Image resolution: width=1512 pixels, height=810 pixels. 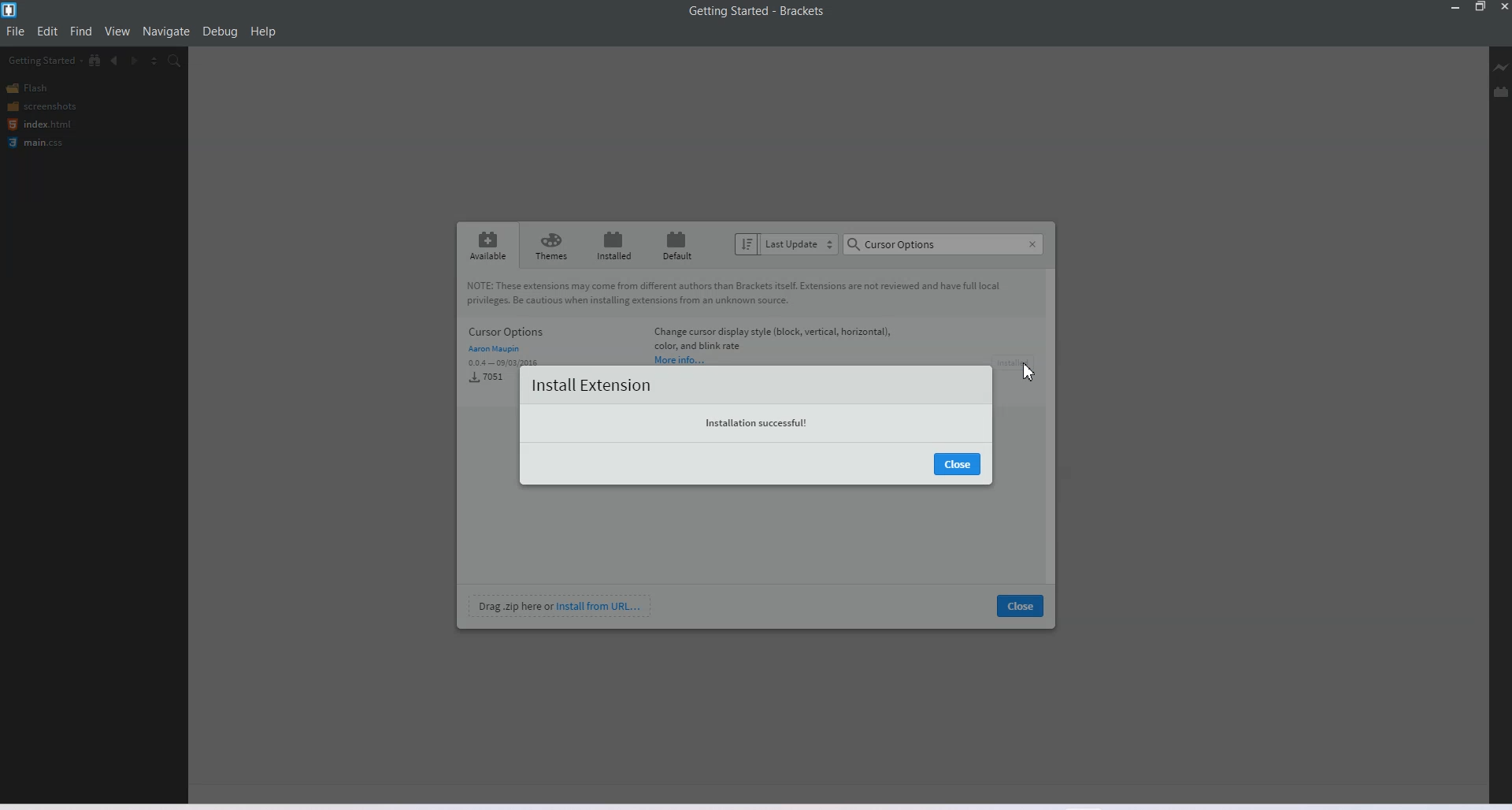 What do you see at coordinates (1503, 7) in the screenshot?
I see `Close` at bounding box center [1503, 7].